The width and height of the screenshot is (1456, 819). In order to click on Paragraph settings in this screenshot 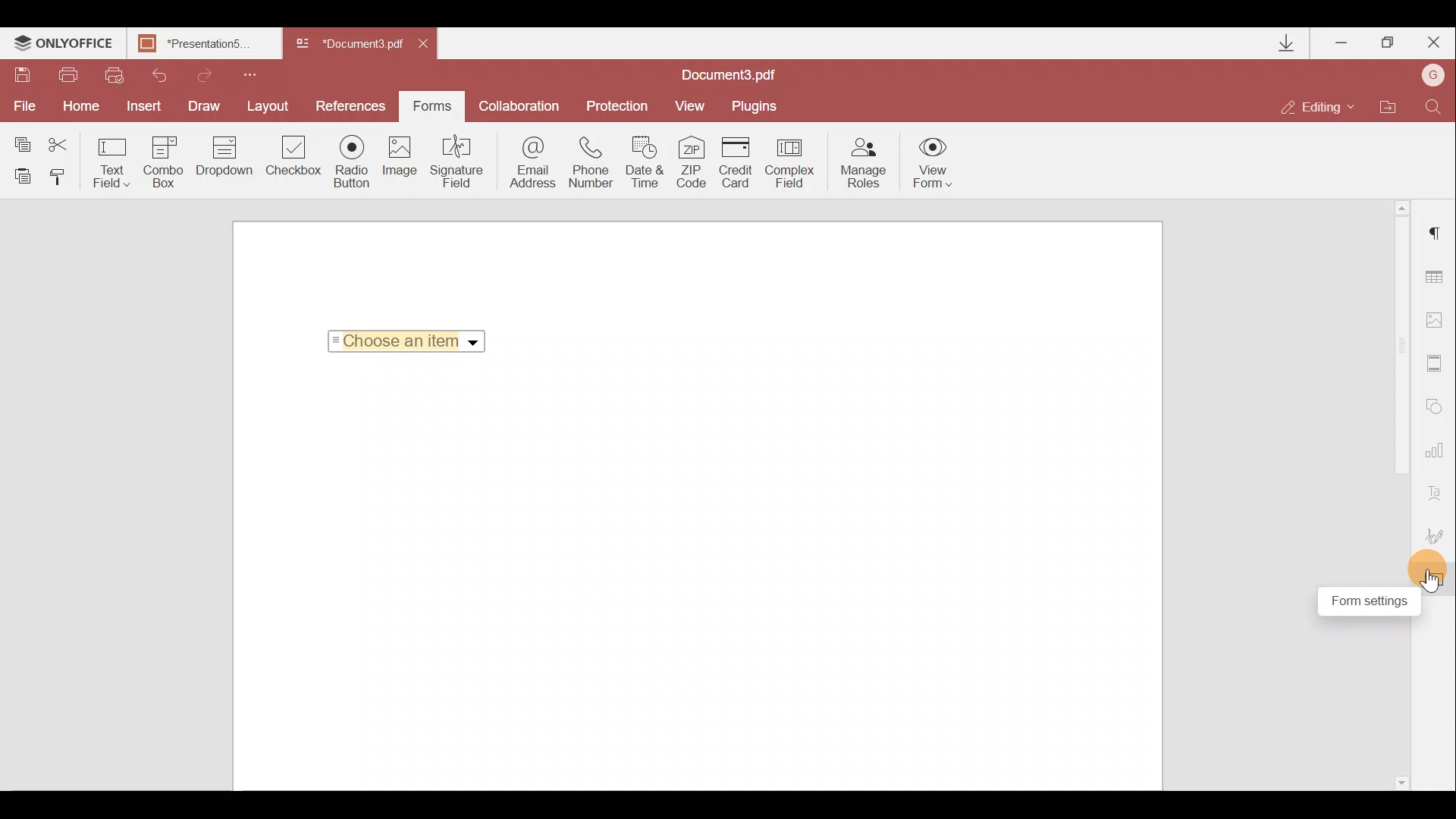, I will do `click(1438, 228)`.